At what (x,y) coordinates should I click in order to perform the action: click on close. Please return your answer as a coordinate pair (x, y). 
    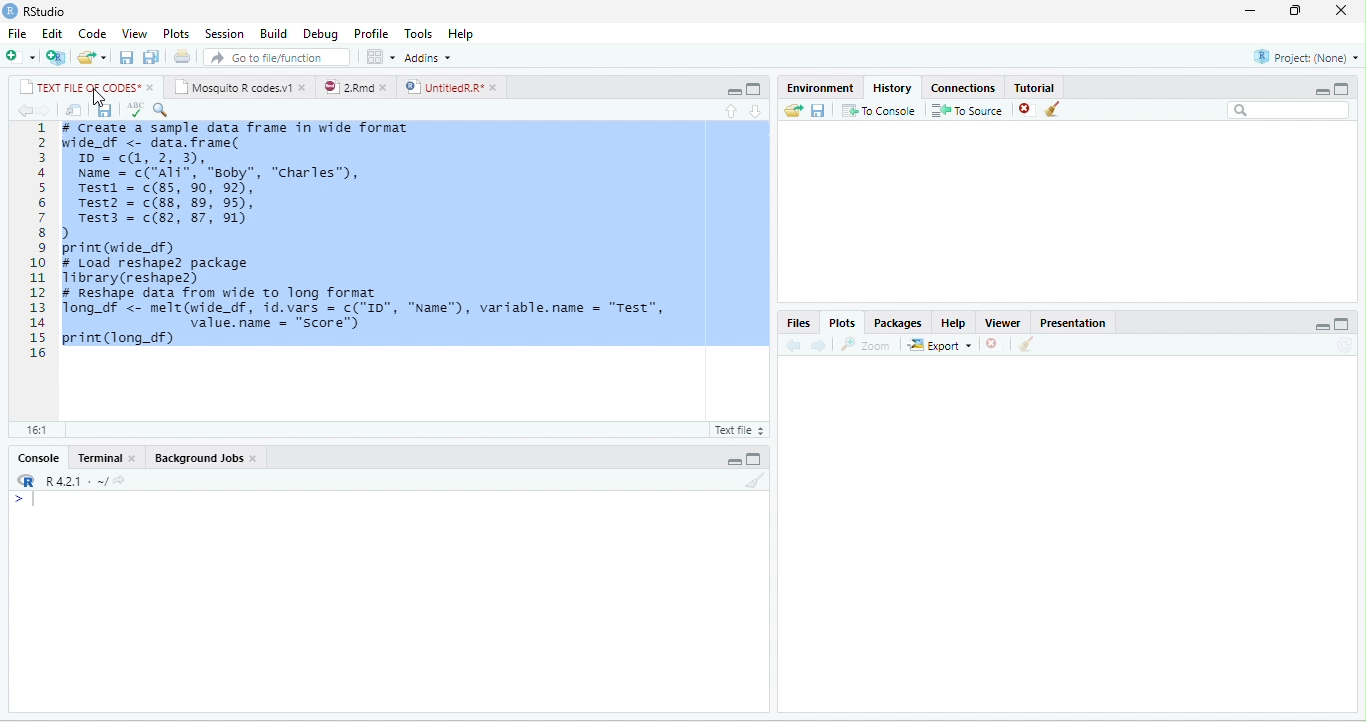
    Looking at the image, I should click on (496, 88).